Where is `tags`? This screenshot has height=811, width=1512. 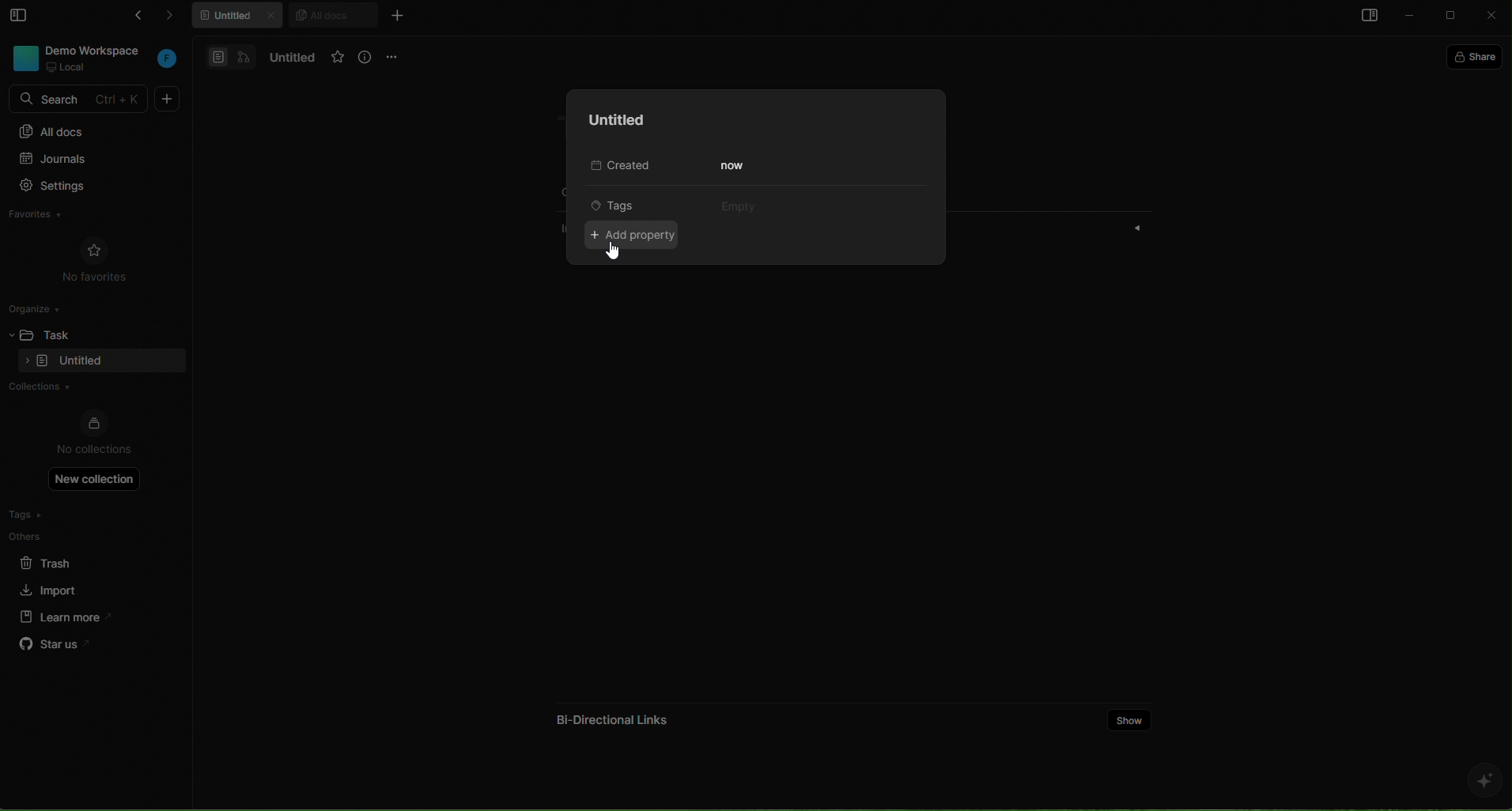
tags is located at coordinates (626, 204).